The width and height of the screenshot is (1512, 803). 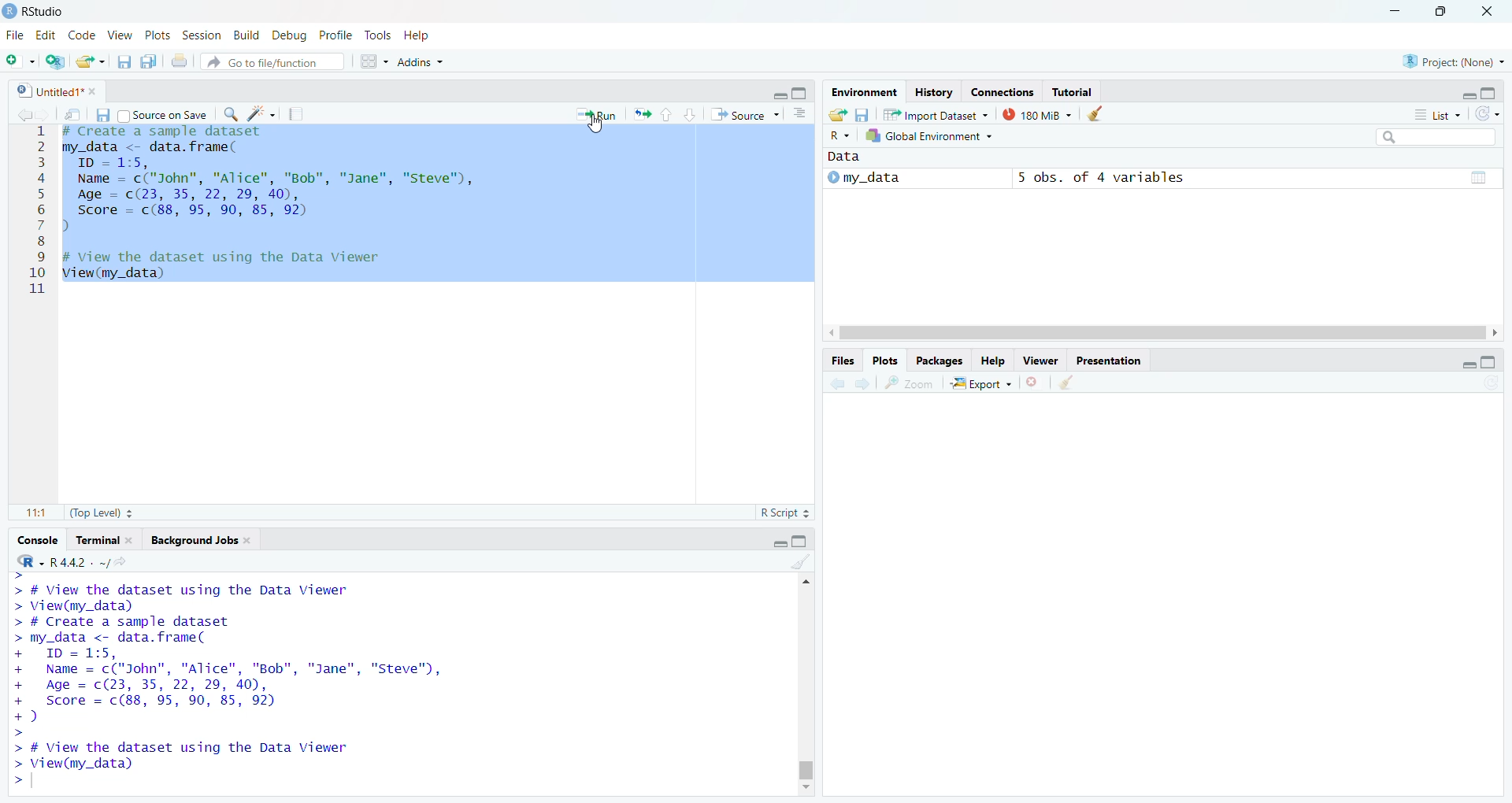 What do you see at coordinates (841, 361) in the screenshot?
I see `Files` at bounding box center [841, 361].